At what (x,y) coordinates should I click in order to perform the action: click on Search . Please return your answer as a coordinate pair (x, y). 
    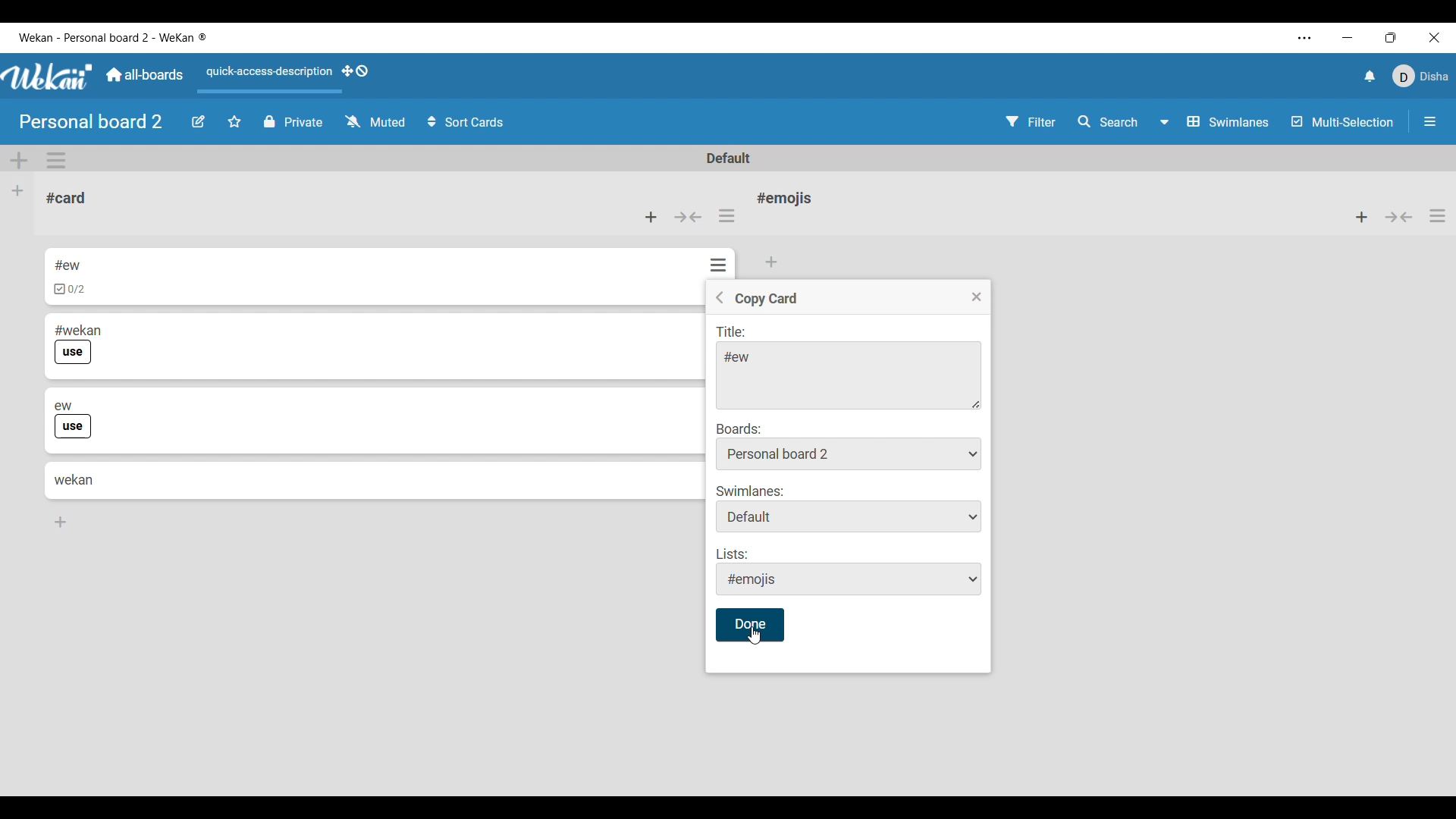
    Looking at the image, I should click on (1108, 122).